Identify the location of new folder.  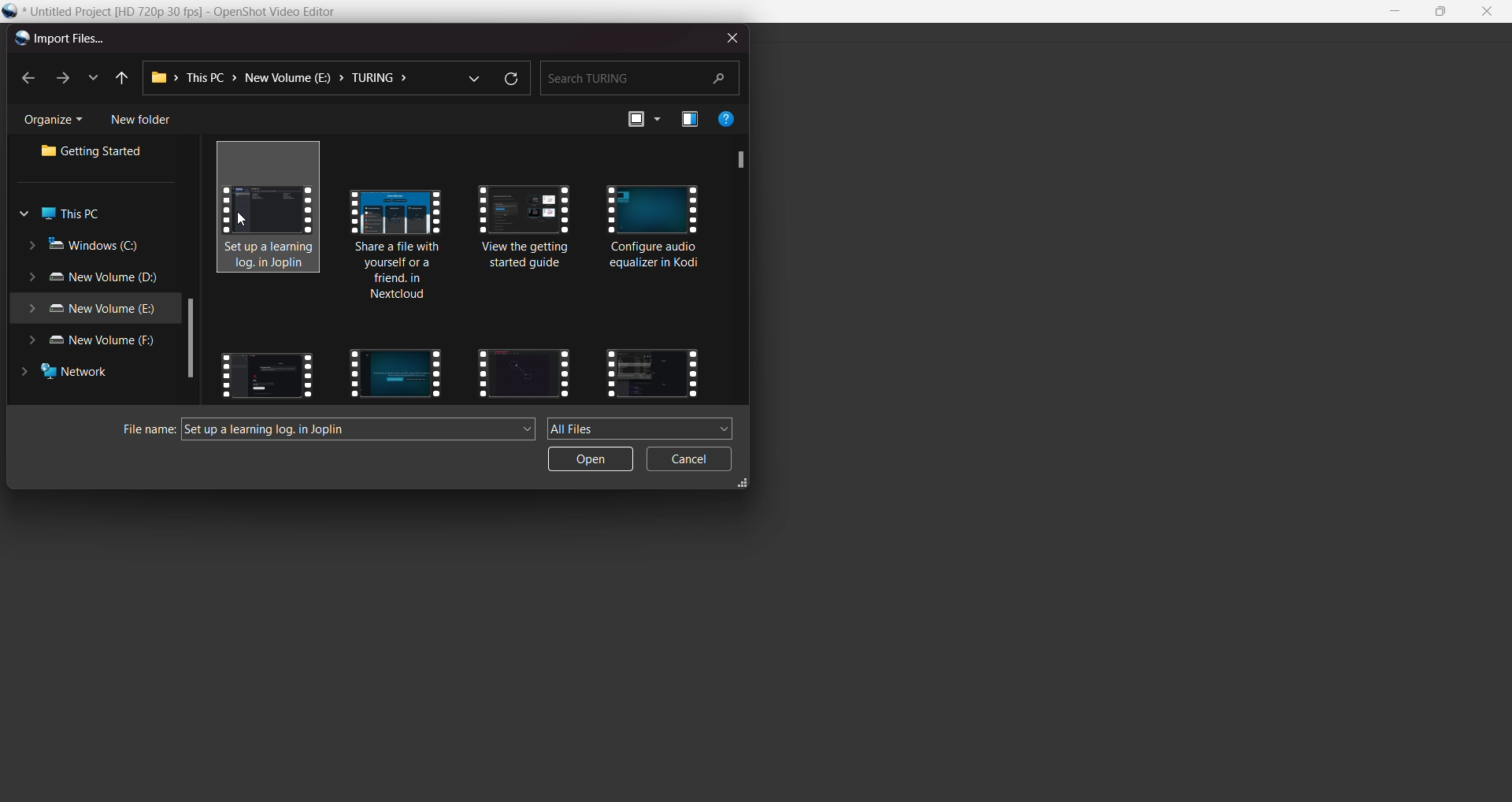
(141, 120).